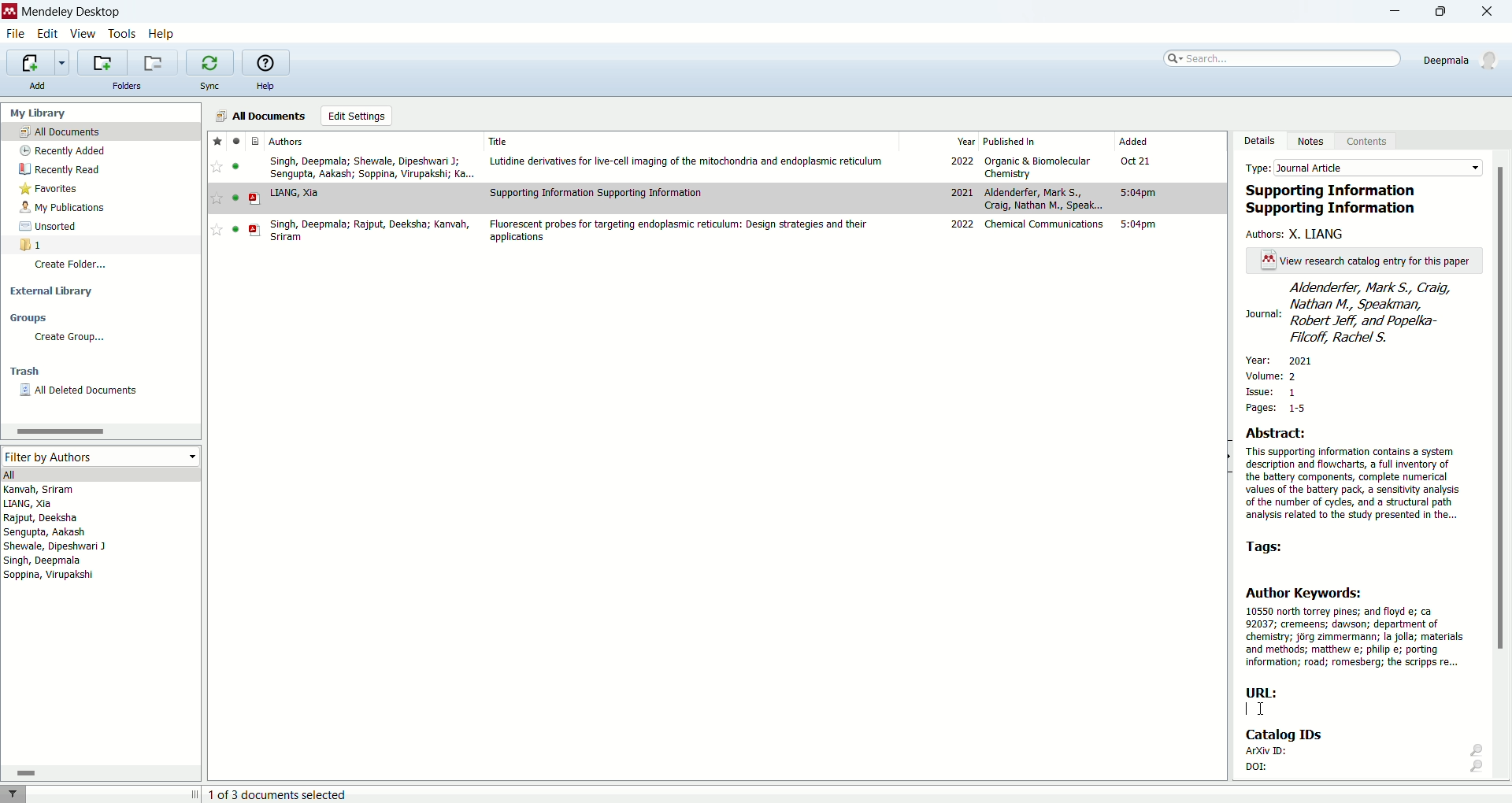  Describe the element at coordinates (255, 230) in the screenshot. I see `PDF` at that location.